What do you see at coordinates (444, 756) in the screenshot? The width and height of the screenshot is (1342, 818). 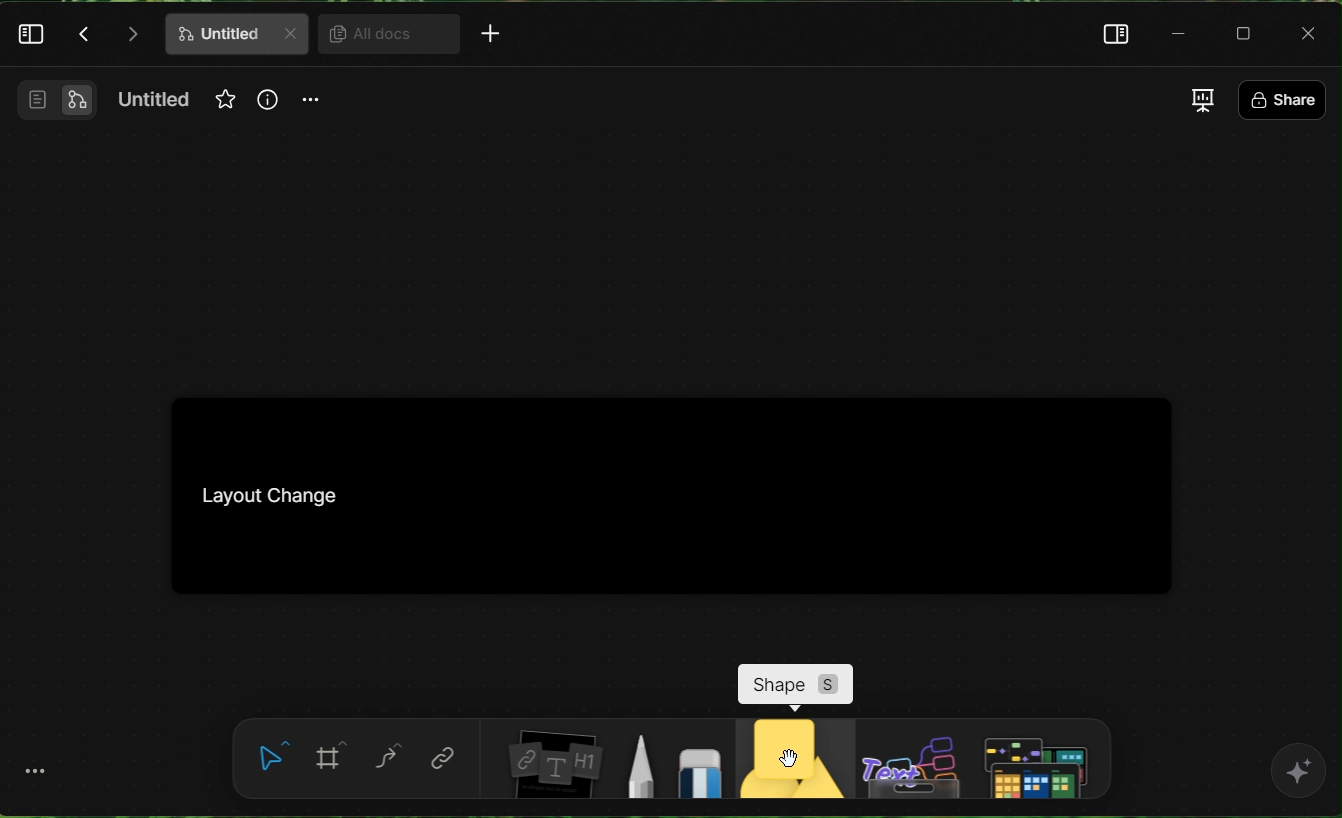 I see `link` at bounding box center [444, 756].